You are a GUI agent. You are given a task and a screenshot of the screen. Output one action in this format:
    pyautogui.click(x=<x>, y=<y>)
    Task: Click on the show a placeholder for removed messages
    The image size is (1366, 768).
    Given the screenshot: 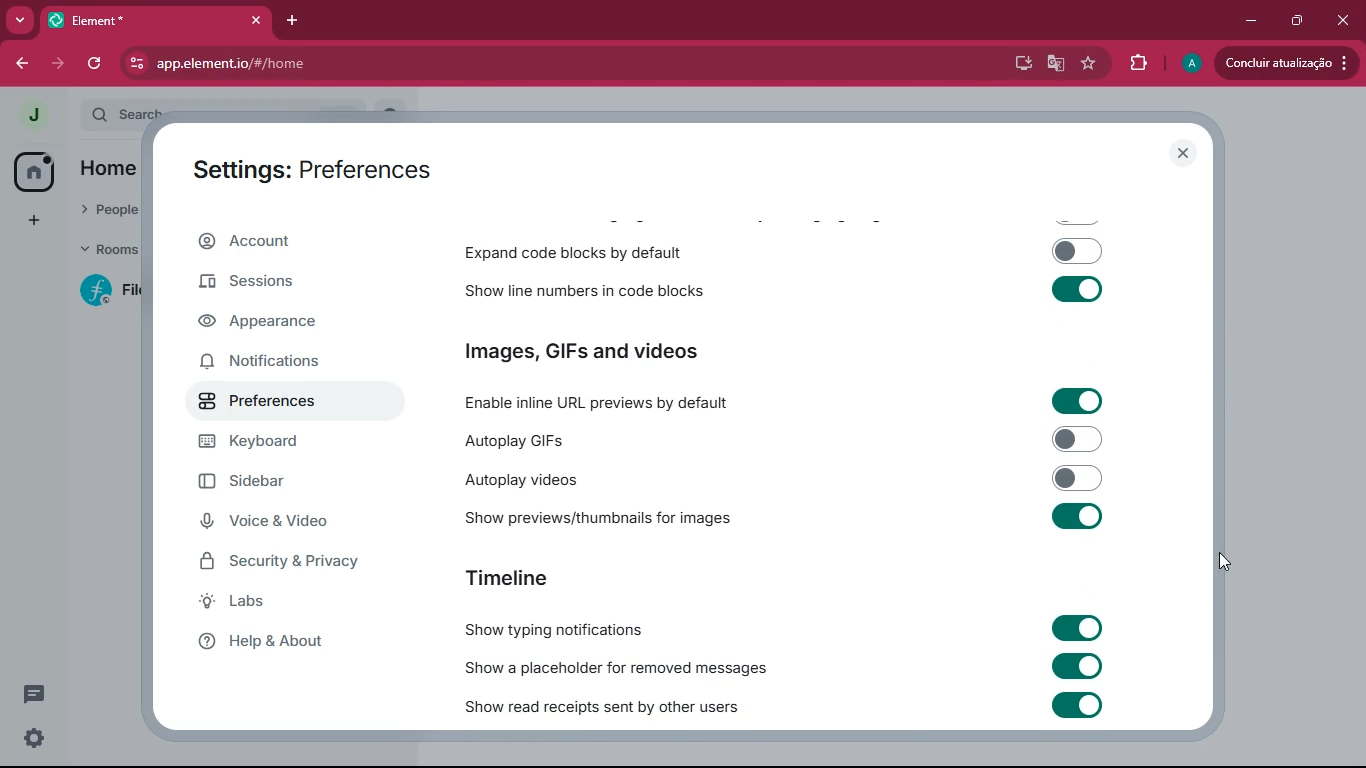 What is the action you would take?
    pyautogui.click(x=626, y=666)
    